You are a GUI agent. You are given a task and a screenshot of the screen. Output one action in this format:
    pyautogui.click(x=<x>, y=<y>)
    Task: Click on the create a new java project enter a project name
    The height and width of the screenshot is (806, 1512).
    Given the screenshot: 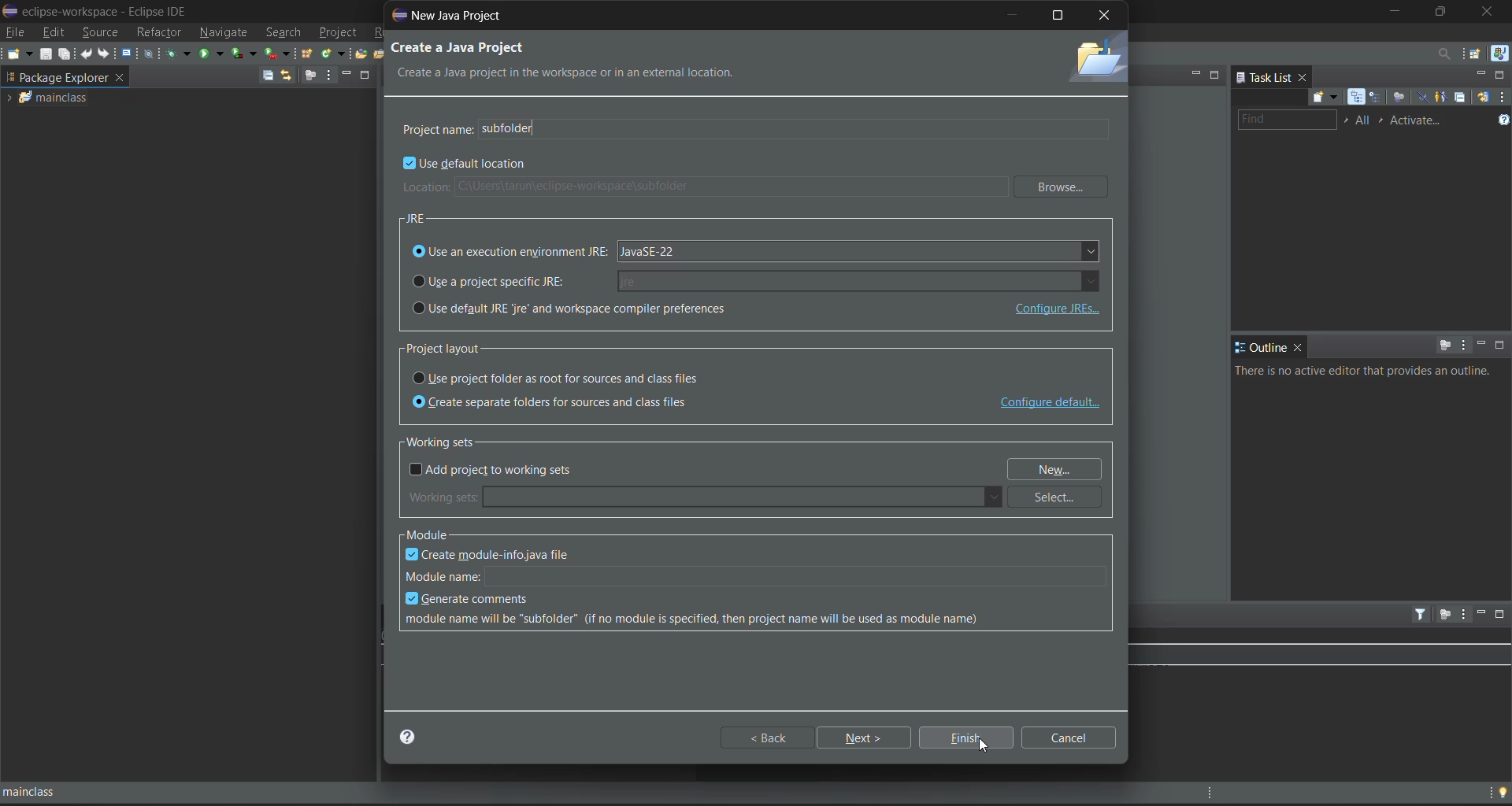 What is the action you would take?
    pyautogui.click(x=515, y=61)
    